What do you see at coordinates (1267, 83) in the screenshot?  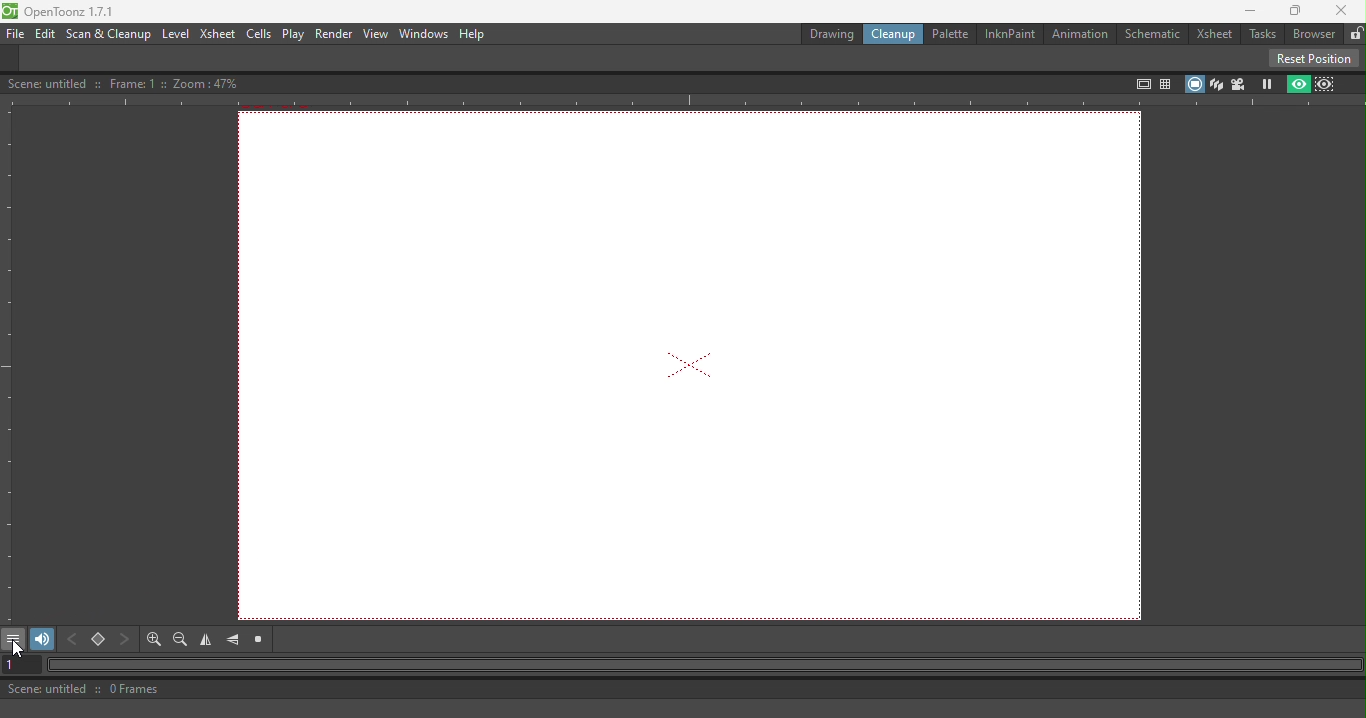 I see `Freeze` at bounding box center [1267, 83].